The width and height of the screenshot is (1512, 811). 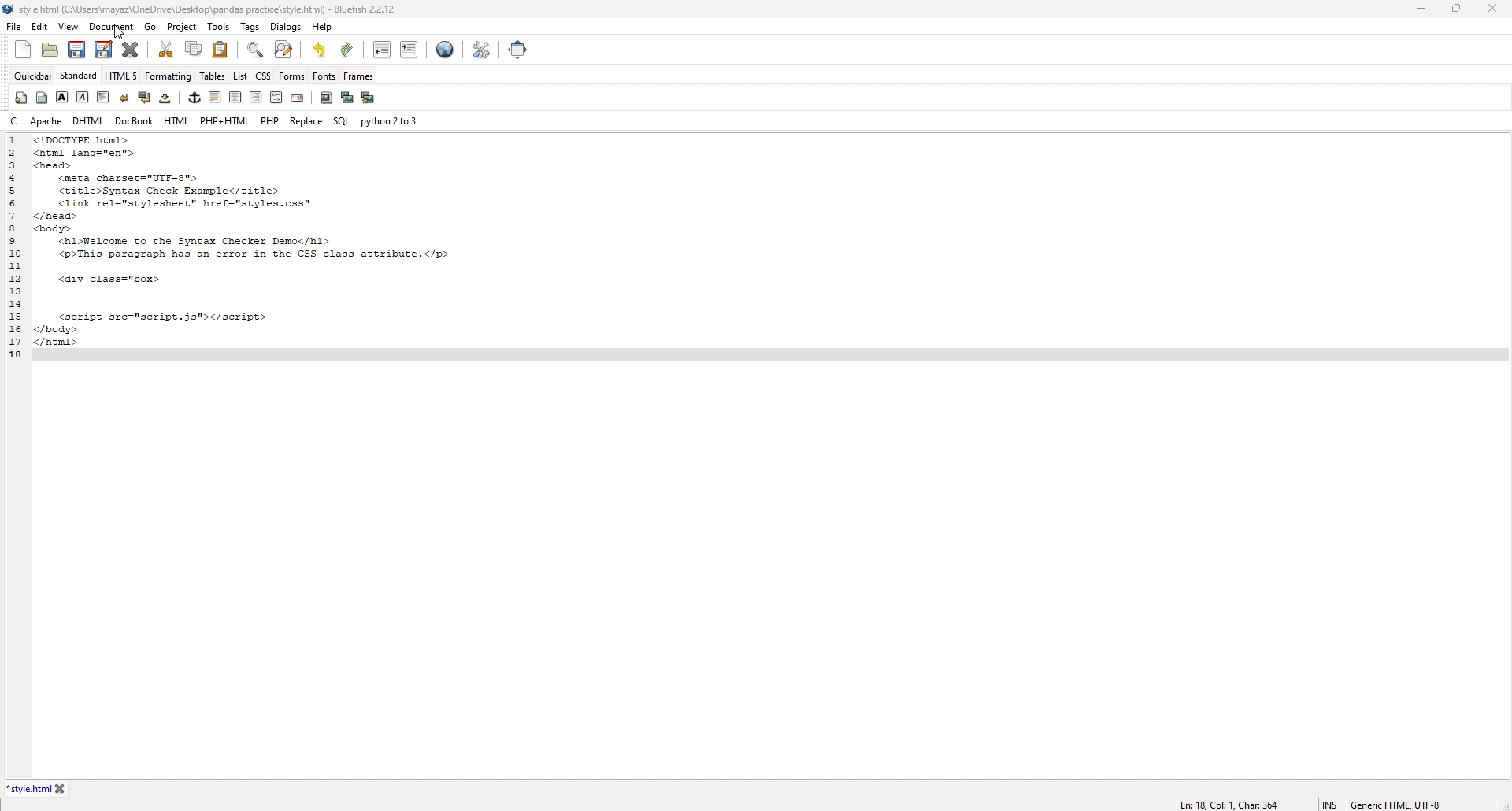 What do you see at coordinates (321, 27) in the screenshot?
I see `help` at bounding box center [321, 27].